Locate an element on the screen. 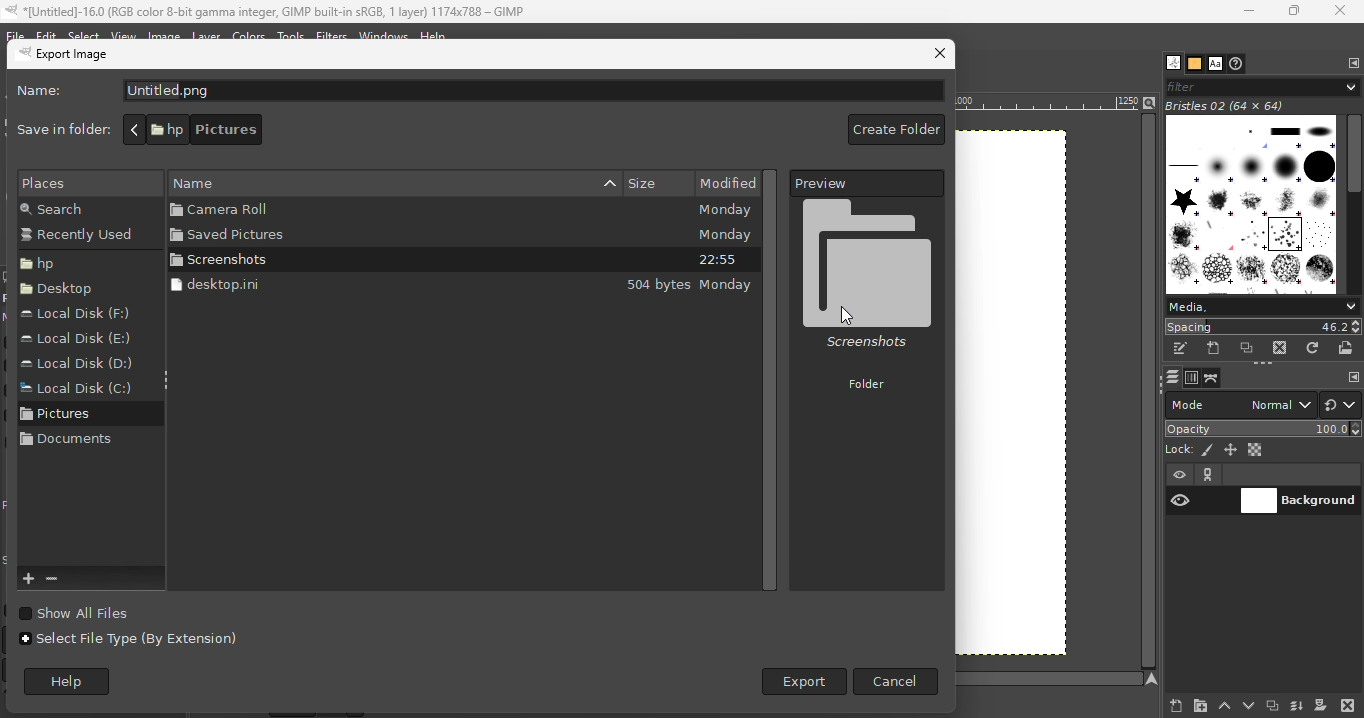 The height and width of the screenshot is (718, 1364). Minimize is located at coordinates (1244, 11).